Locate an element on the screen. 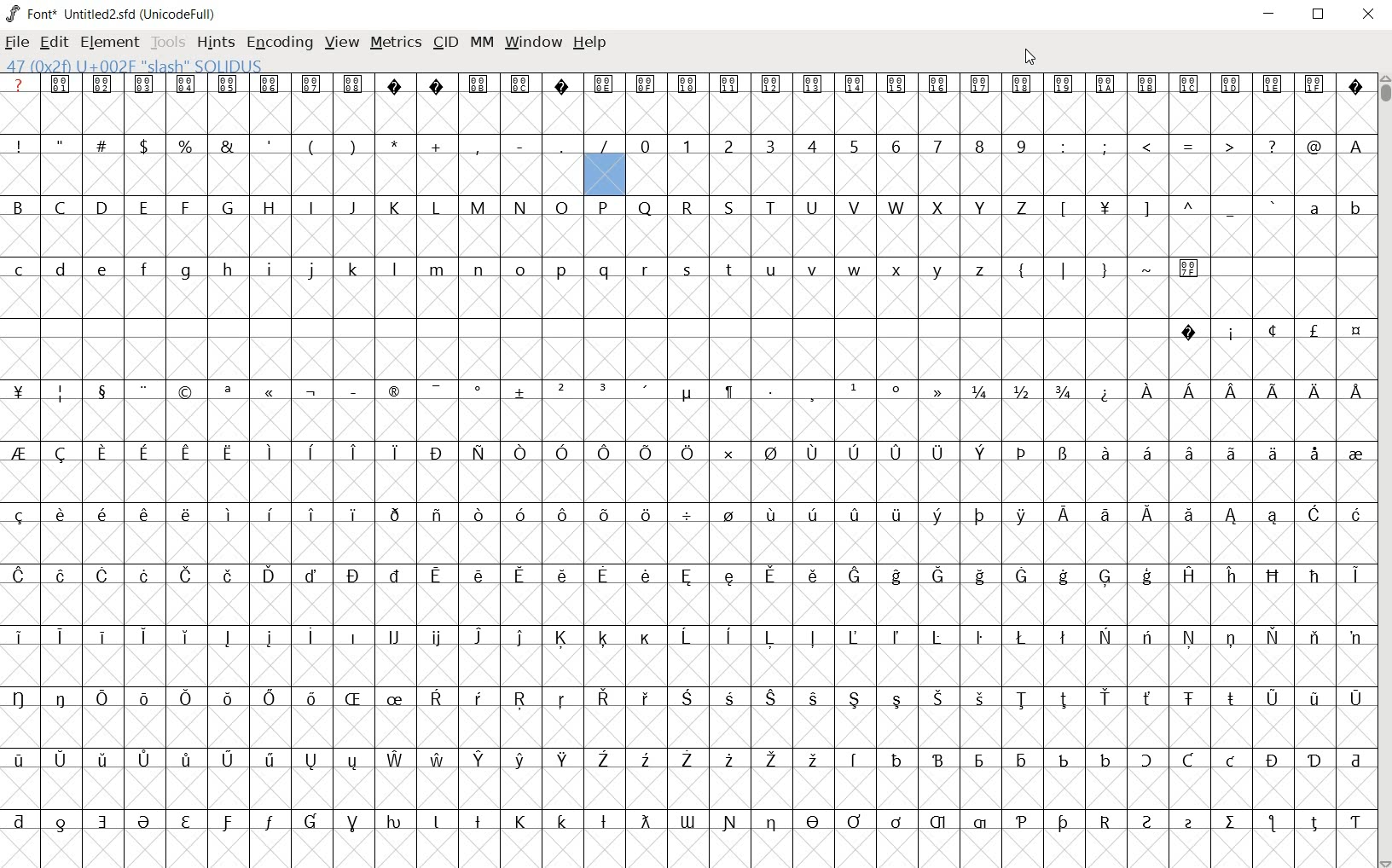  empty cells is located at coordinates (685, 237).